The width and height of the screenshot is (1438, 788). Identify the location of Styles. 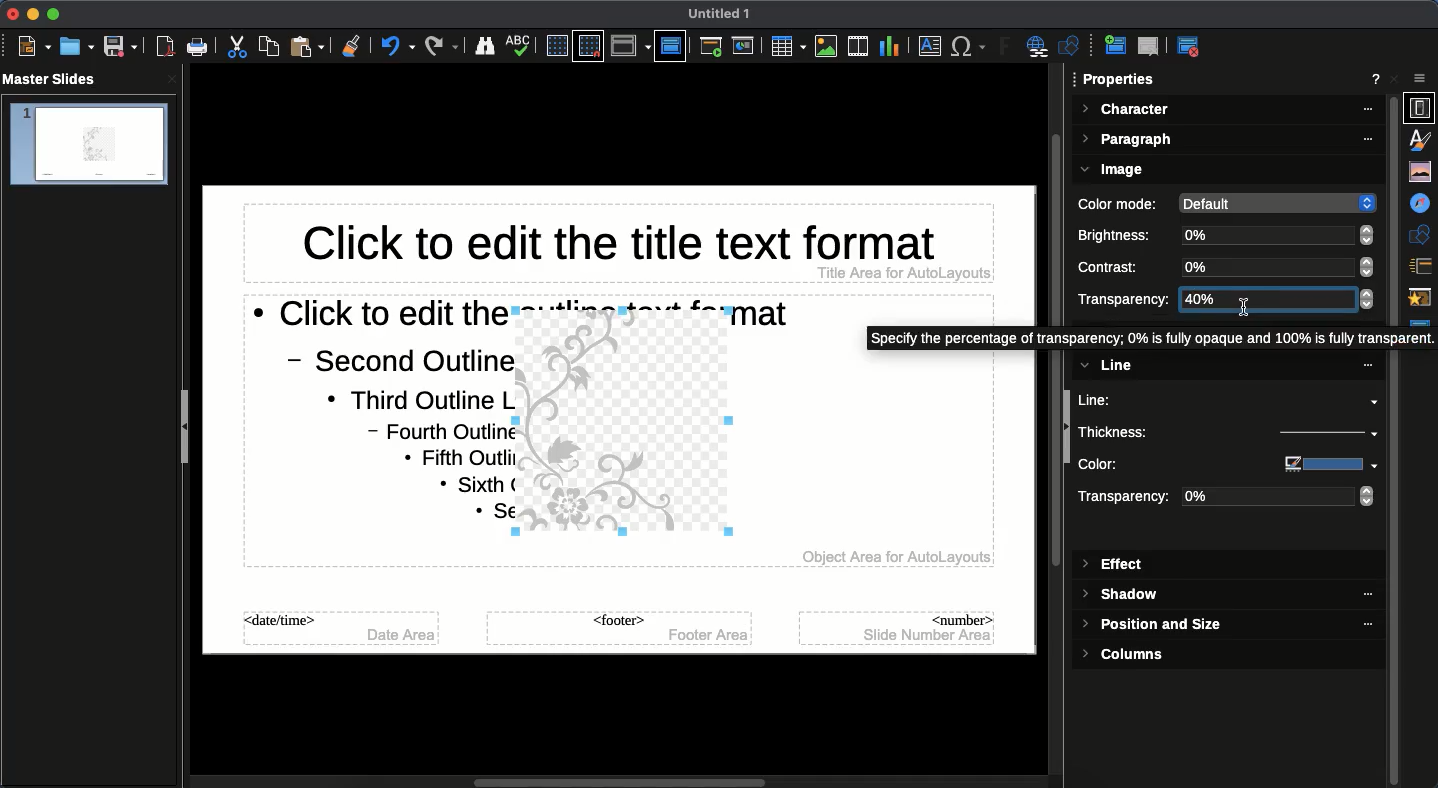
(1424, 139).